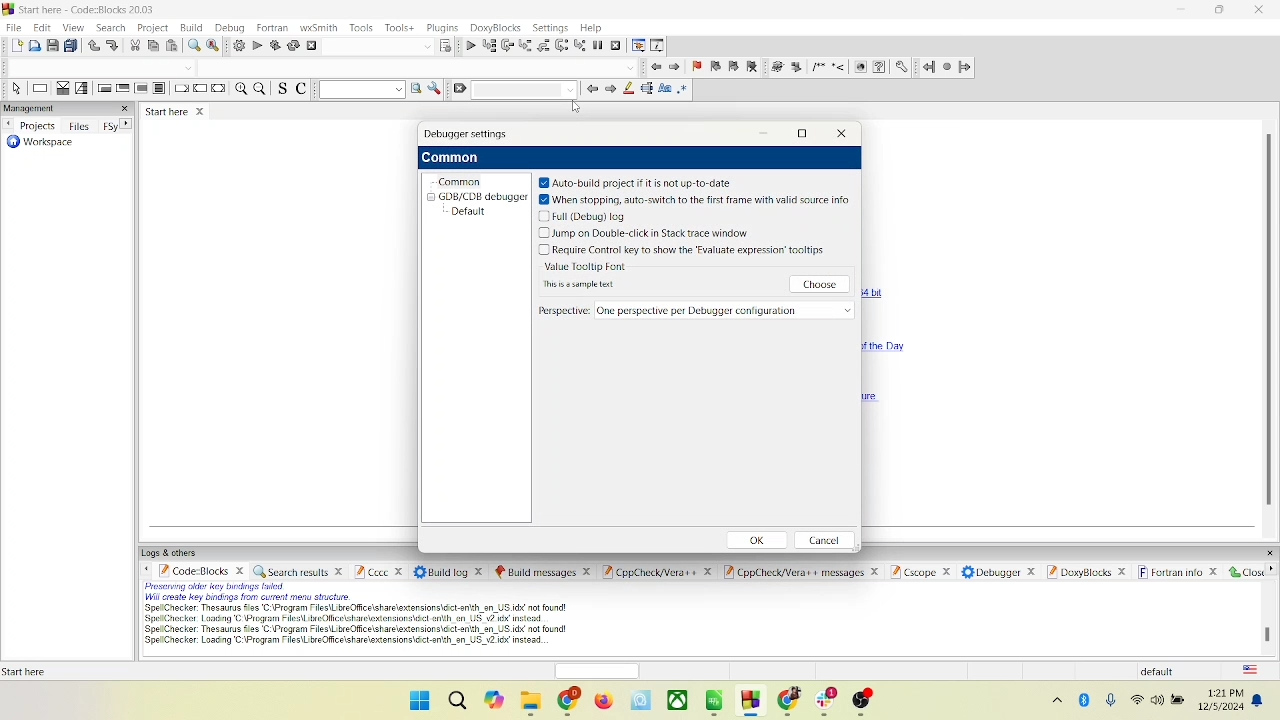 The image size is (1280, 720). What do you see at coordinates (925, 574) in the screenshot?
I see `cscope` at bounding box center [925, 574].